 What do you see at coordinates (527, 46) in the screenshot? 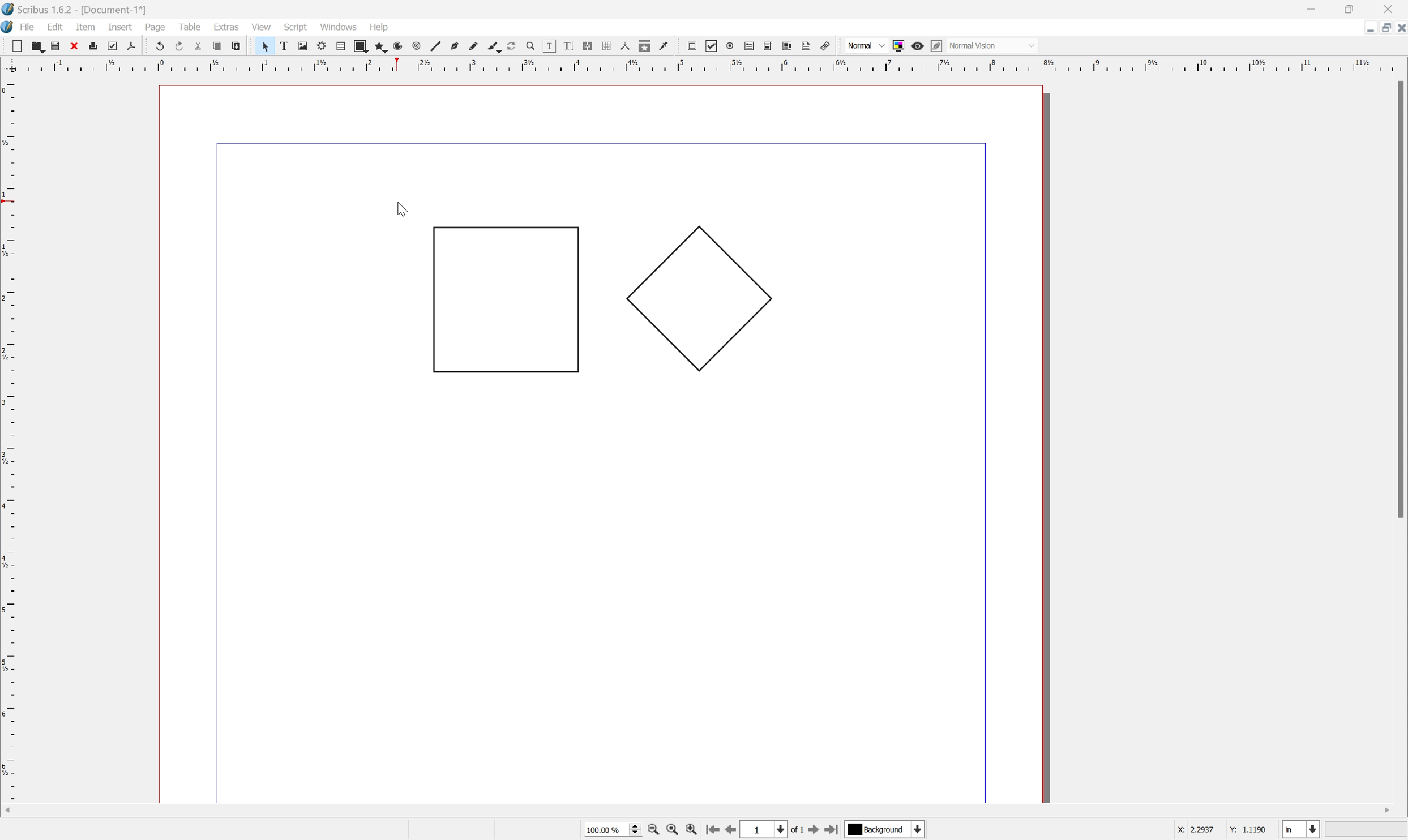
I see `zoom in or zoom out` at bounding box center [527, 46].